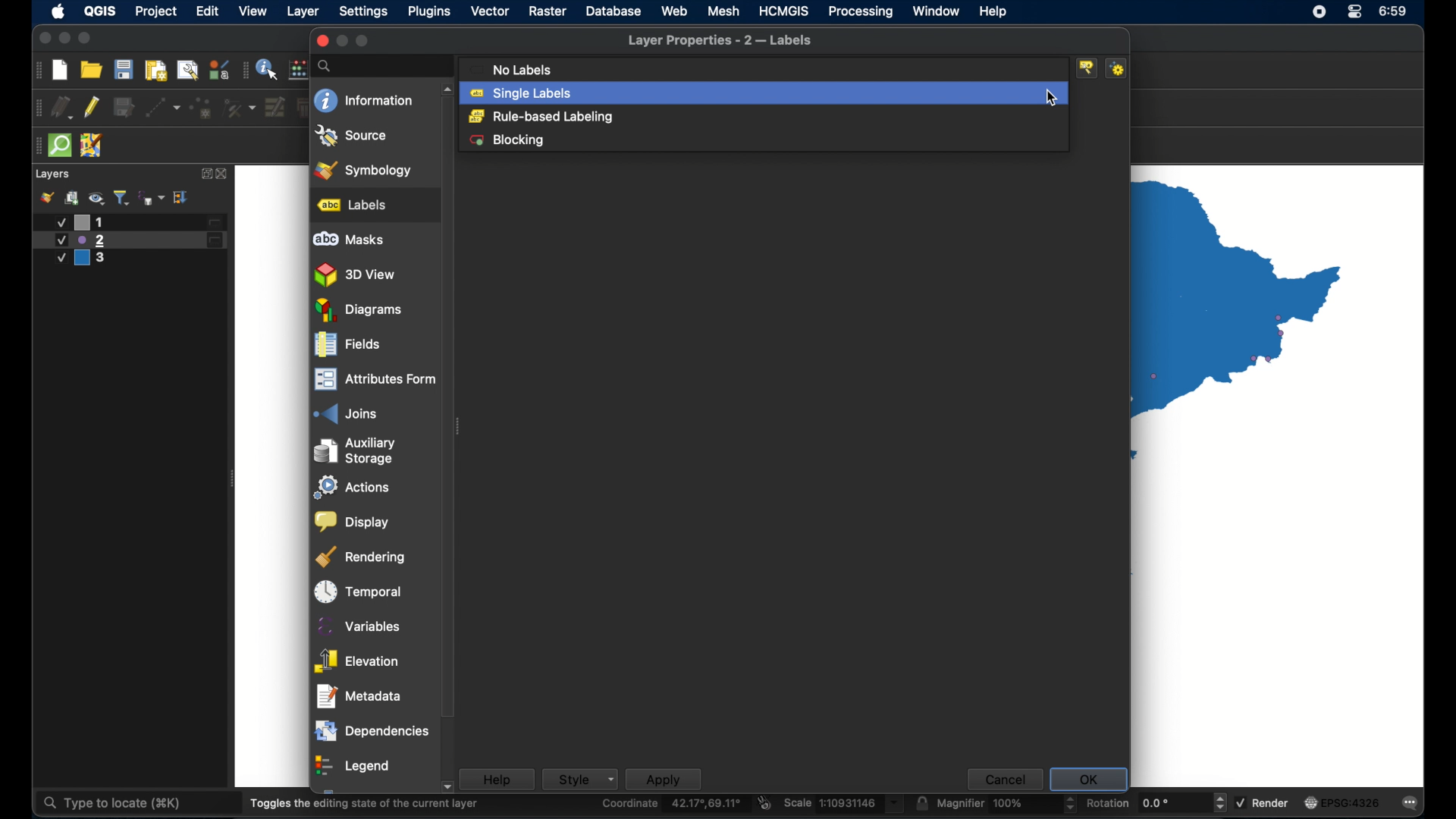 The width and height of the screenshot is (1456, 819). Describe the element at coordinates (365, 803) in the screenshot. I see `toggles the  dining state of the current layer` at that location.